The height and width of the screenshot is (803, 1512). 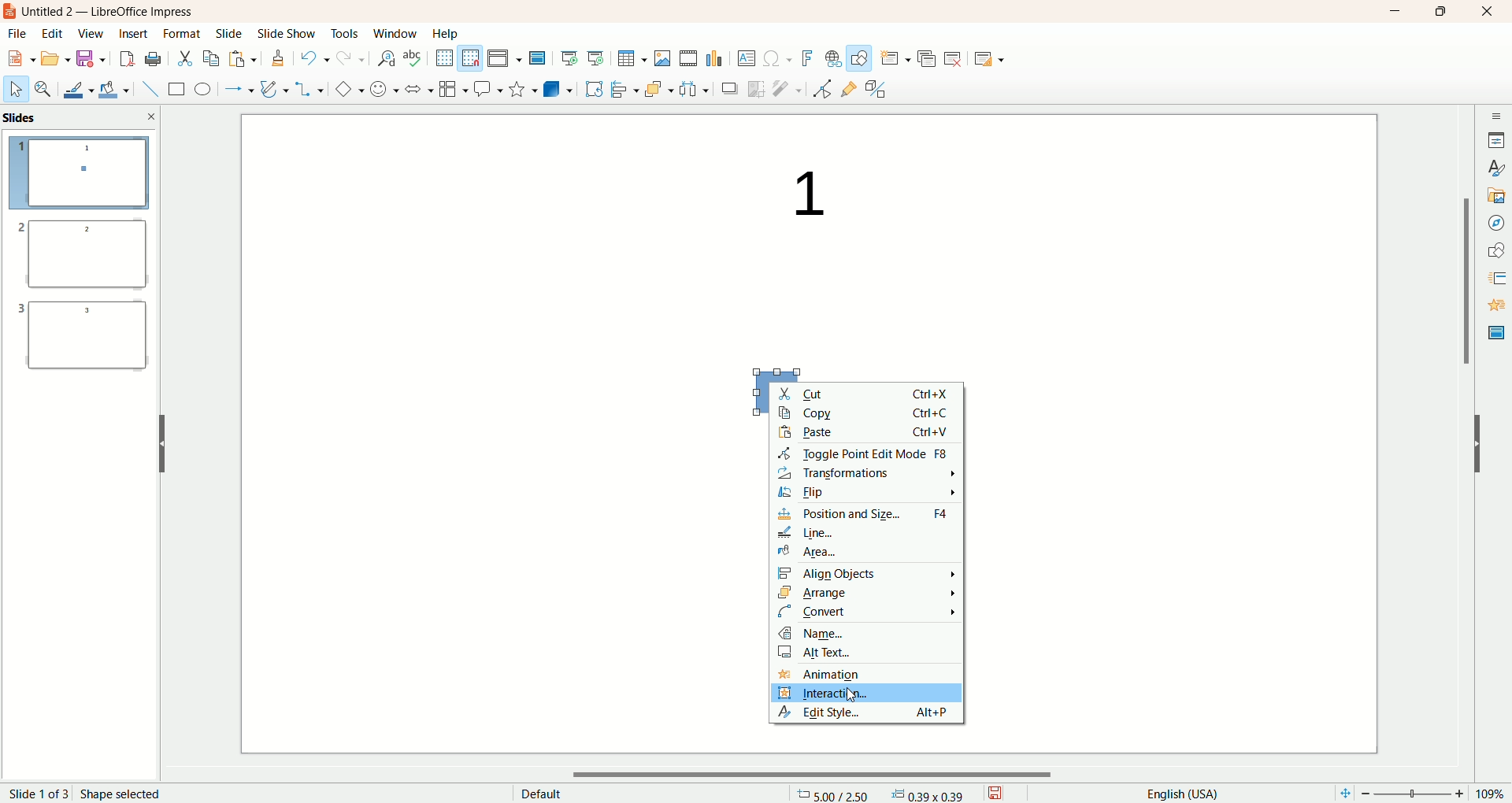 I want to click on arrange, so click(x=654, y=87).